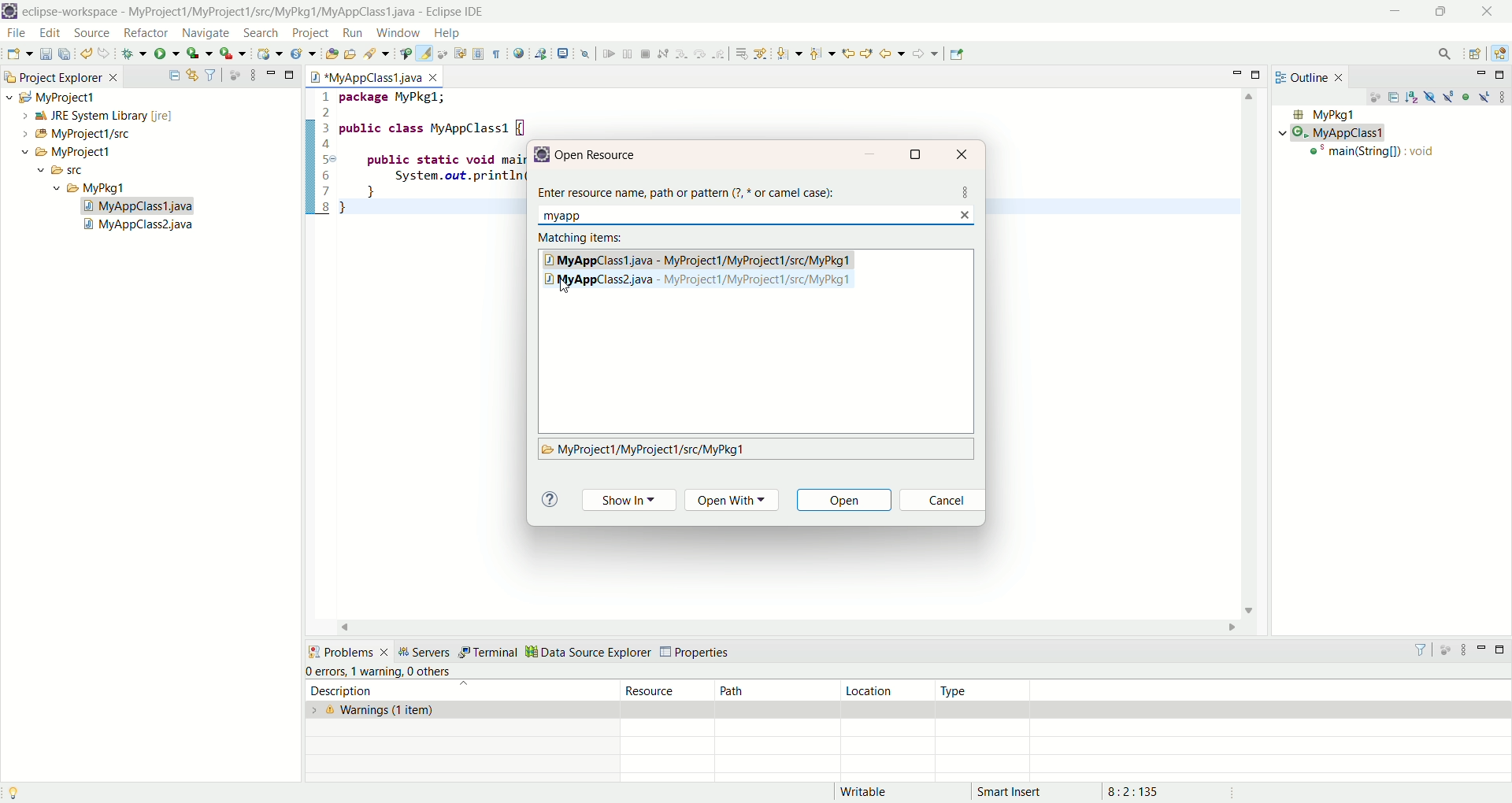 Image resolution: width=1512 pixels, height=803 pixels. What do you see at coordinates (60, 76) in the screenshot?
I see `project explorer` at bounding box center [60, 76].